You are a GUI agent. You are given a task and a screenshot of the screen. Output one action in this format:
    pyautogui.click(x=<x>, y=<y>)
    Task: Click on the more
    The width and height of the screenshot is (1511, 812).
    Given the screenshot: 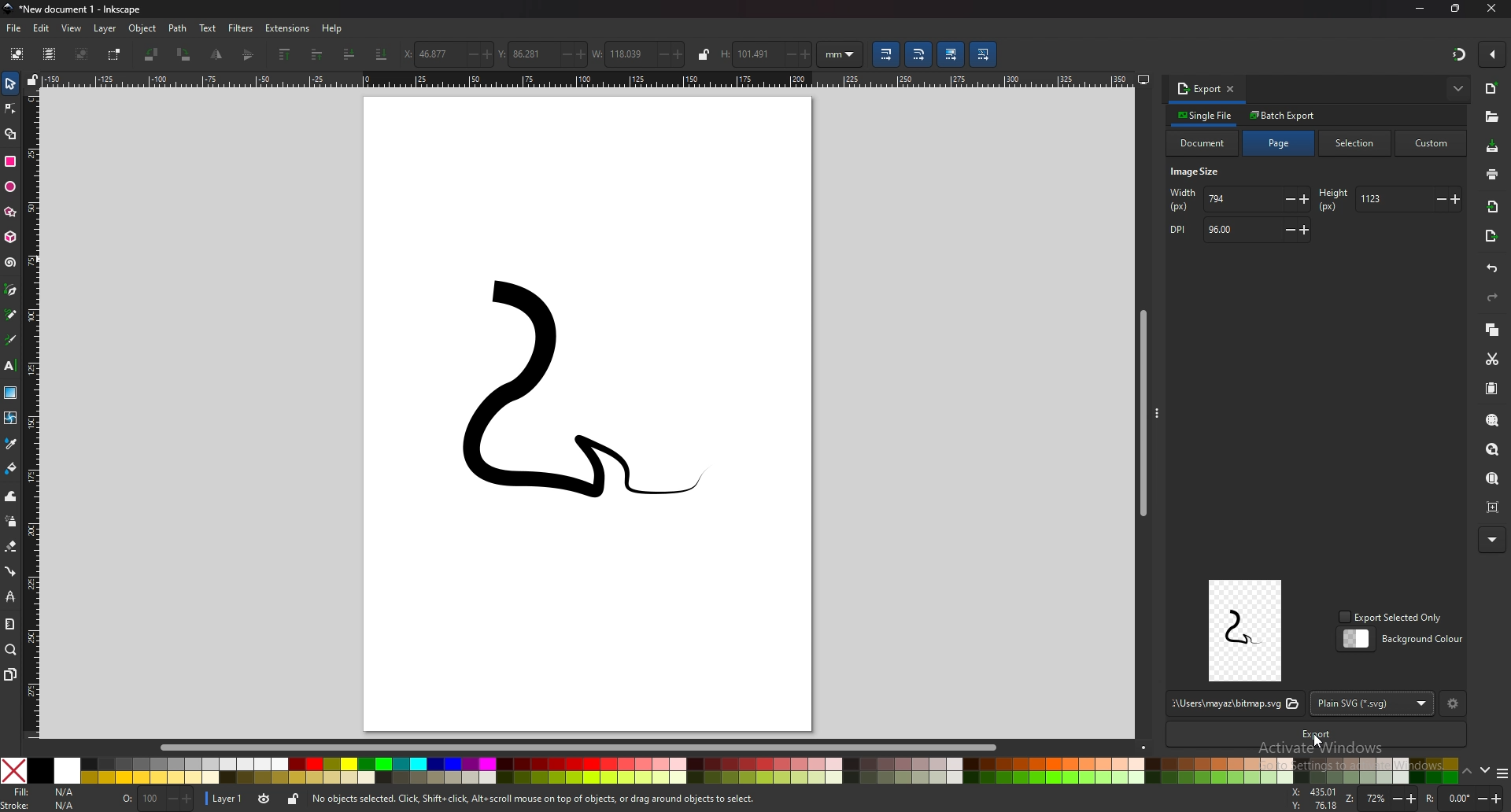 What is the action you would take?
    pyautogui.click(x=1491, y=540)
    